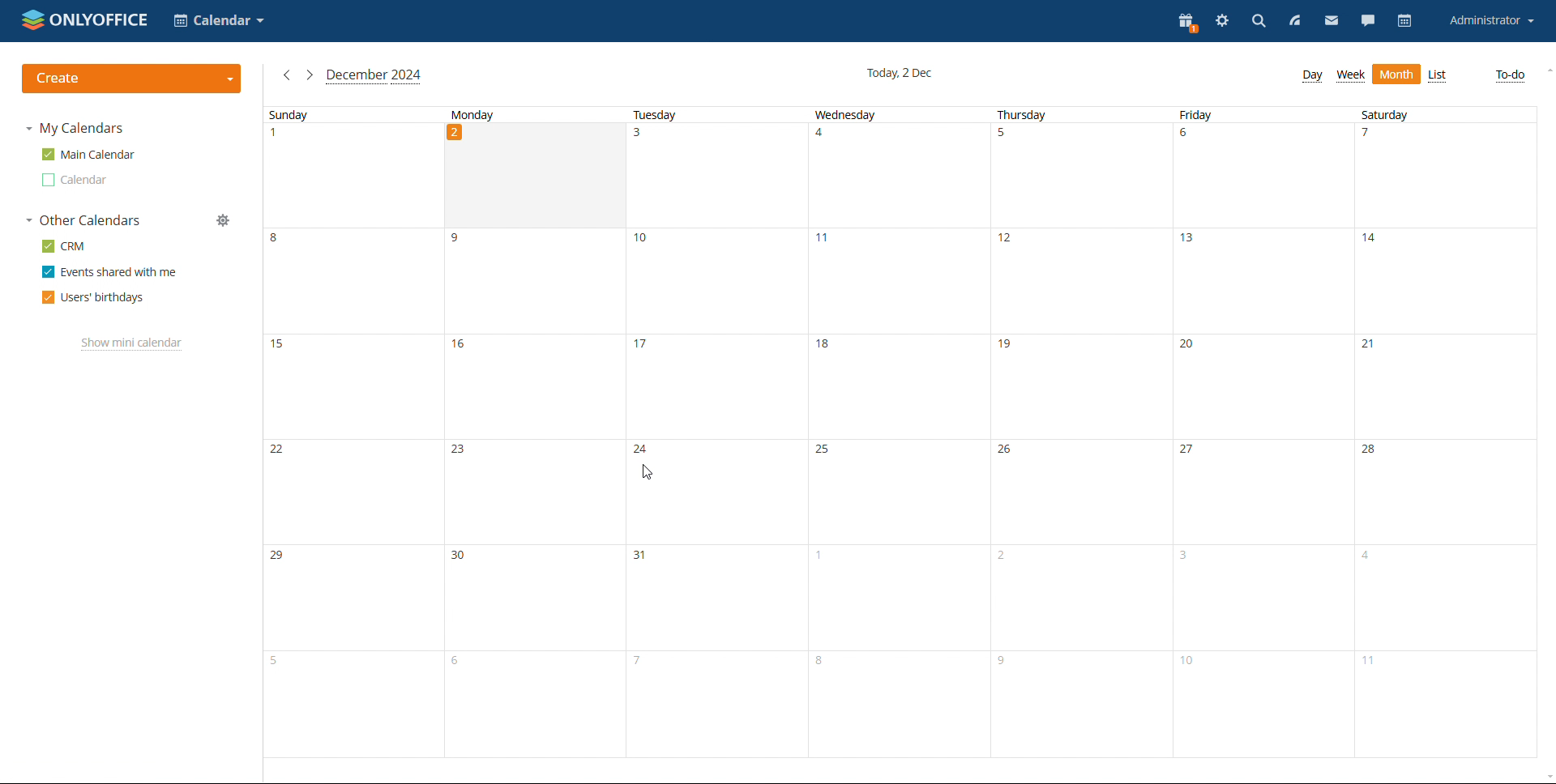  I want to click on settings, so click(1222, 23).